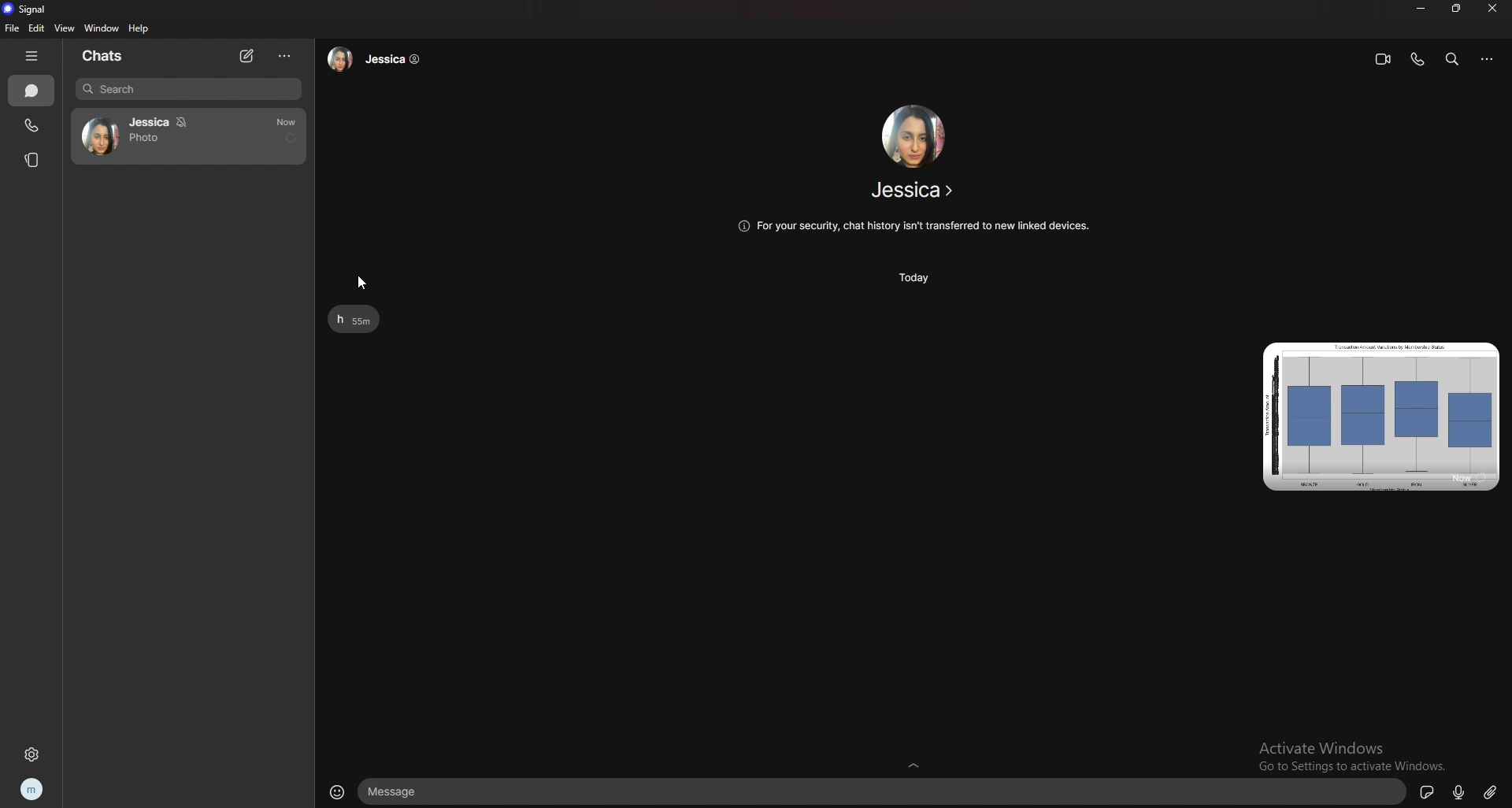 The width and height of the screenshot is (1512, 808). I want to click on text input box, so click(885, 790).